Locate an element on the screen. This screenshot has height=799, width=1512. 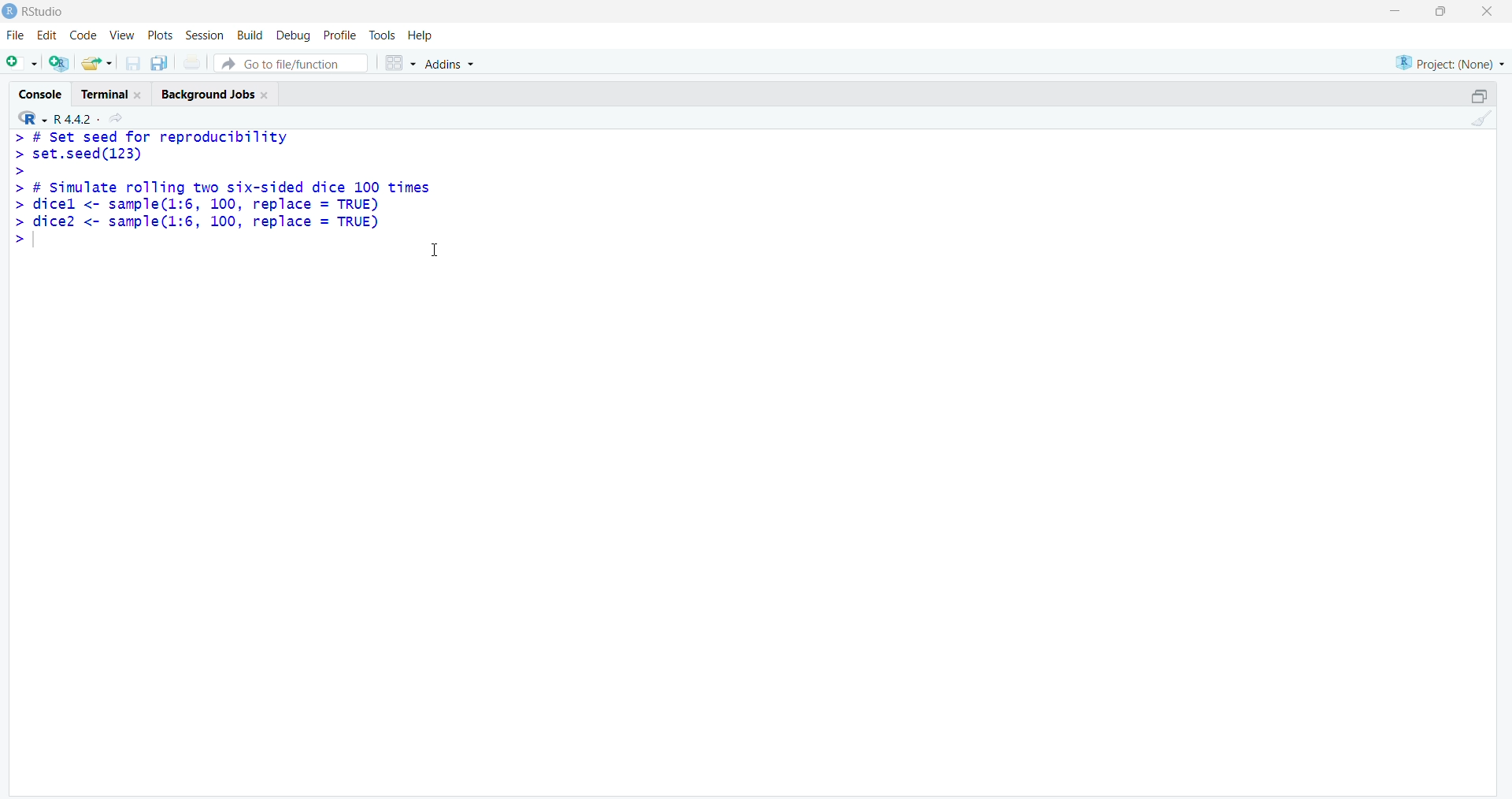
Addins is located at coordinates (451, 64).